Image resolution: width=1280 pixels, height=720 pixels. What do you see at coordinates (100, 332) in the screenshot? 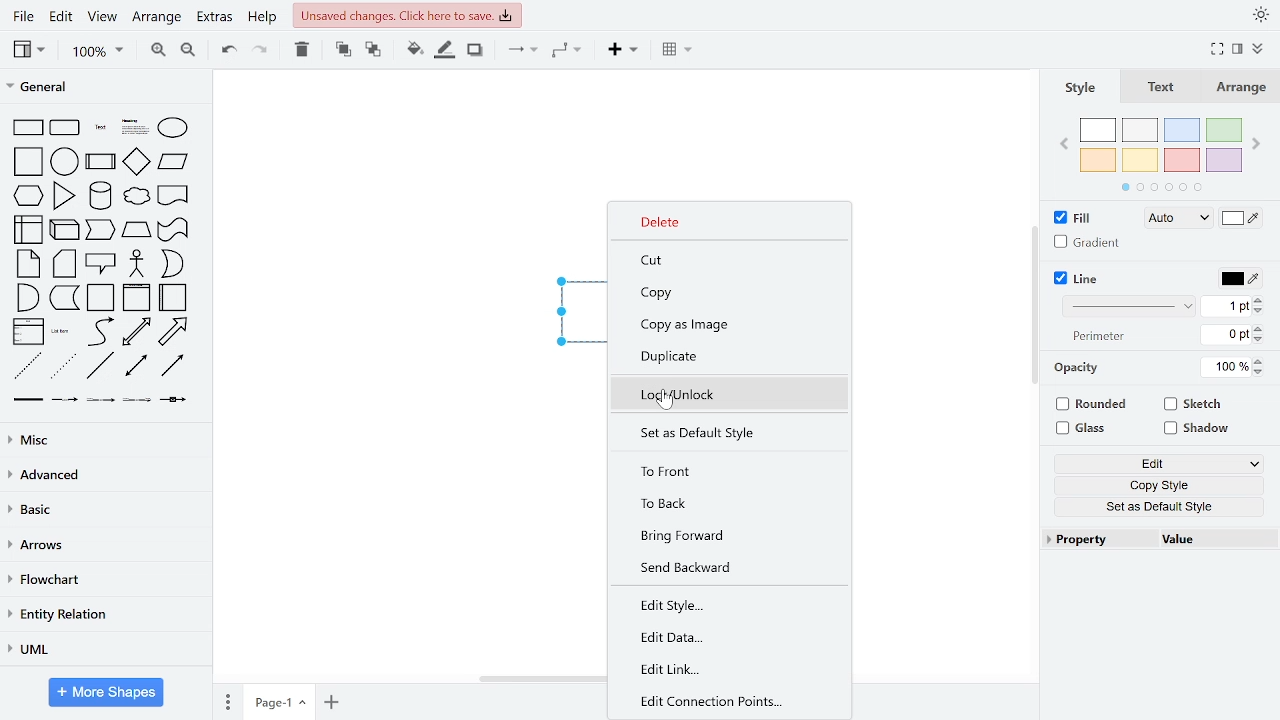
I see `curve` at bounding box center [100, 332].